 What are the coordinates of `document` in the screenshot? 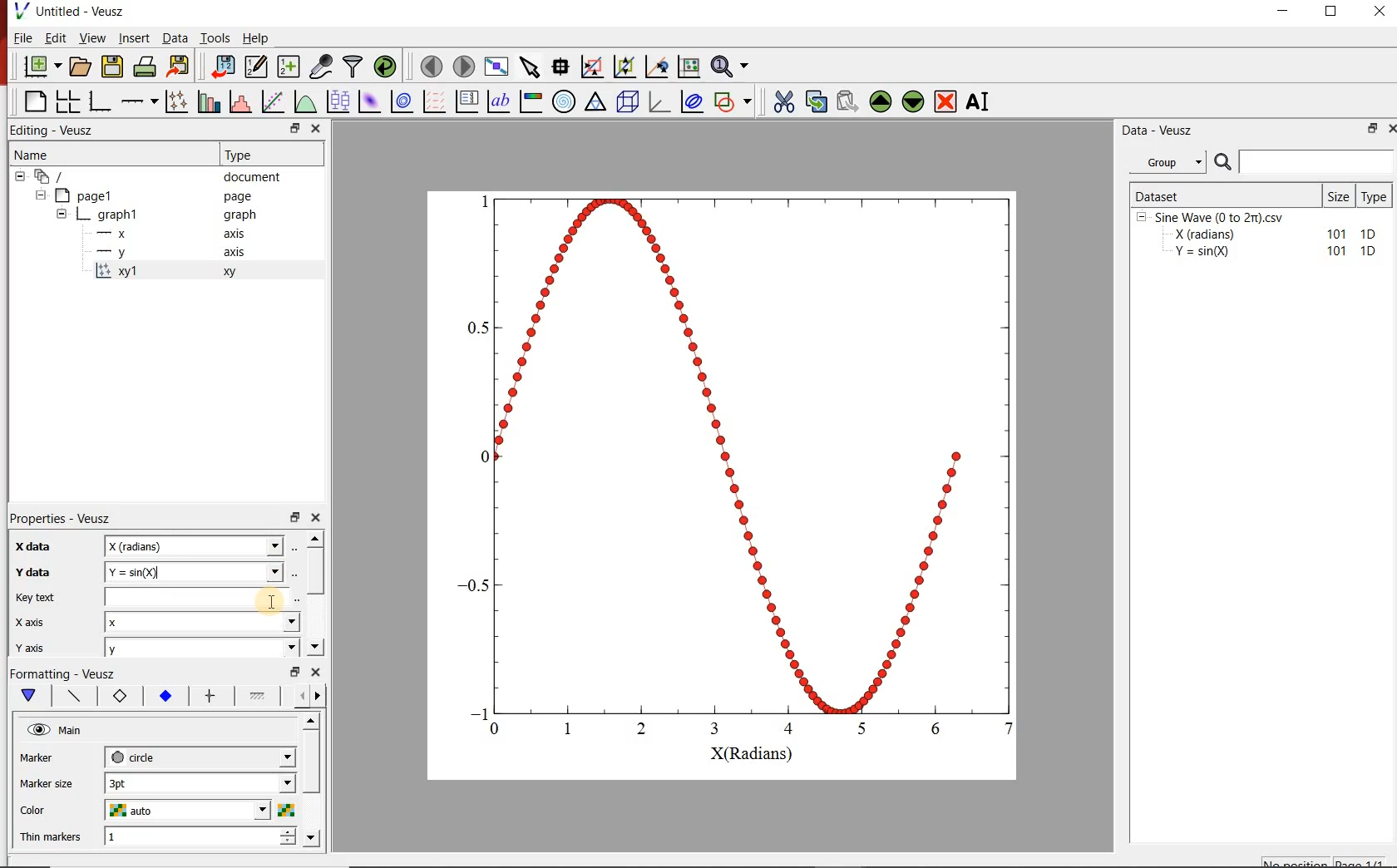 It's located at (253, 177).